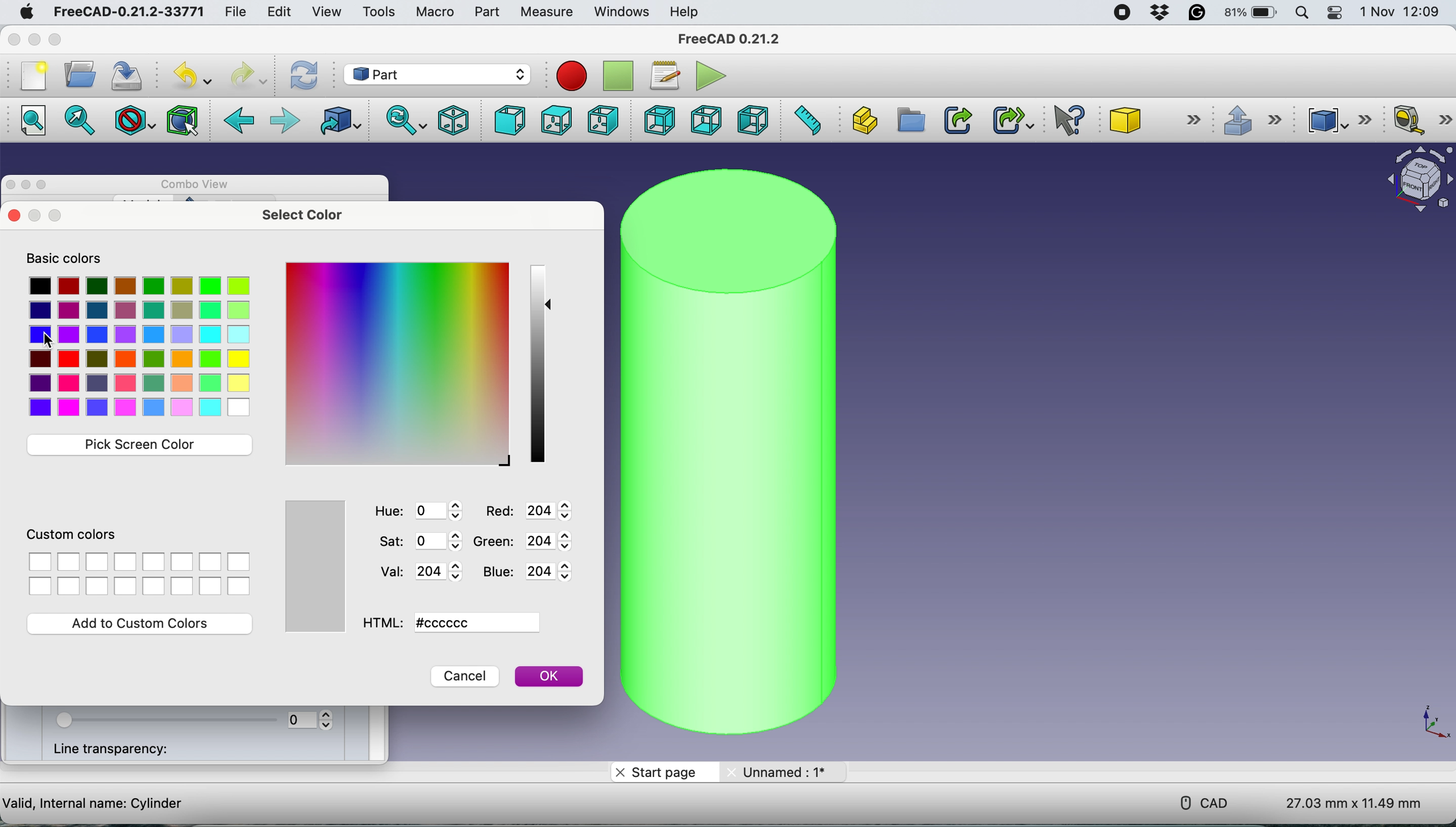 The width and height of the screenshot is (1456, 827). I want to click on help, so click(687, 12).